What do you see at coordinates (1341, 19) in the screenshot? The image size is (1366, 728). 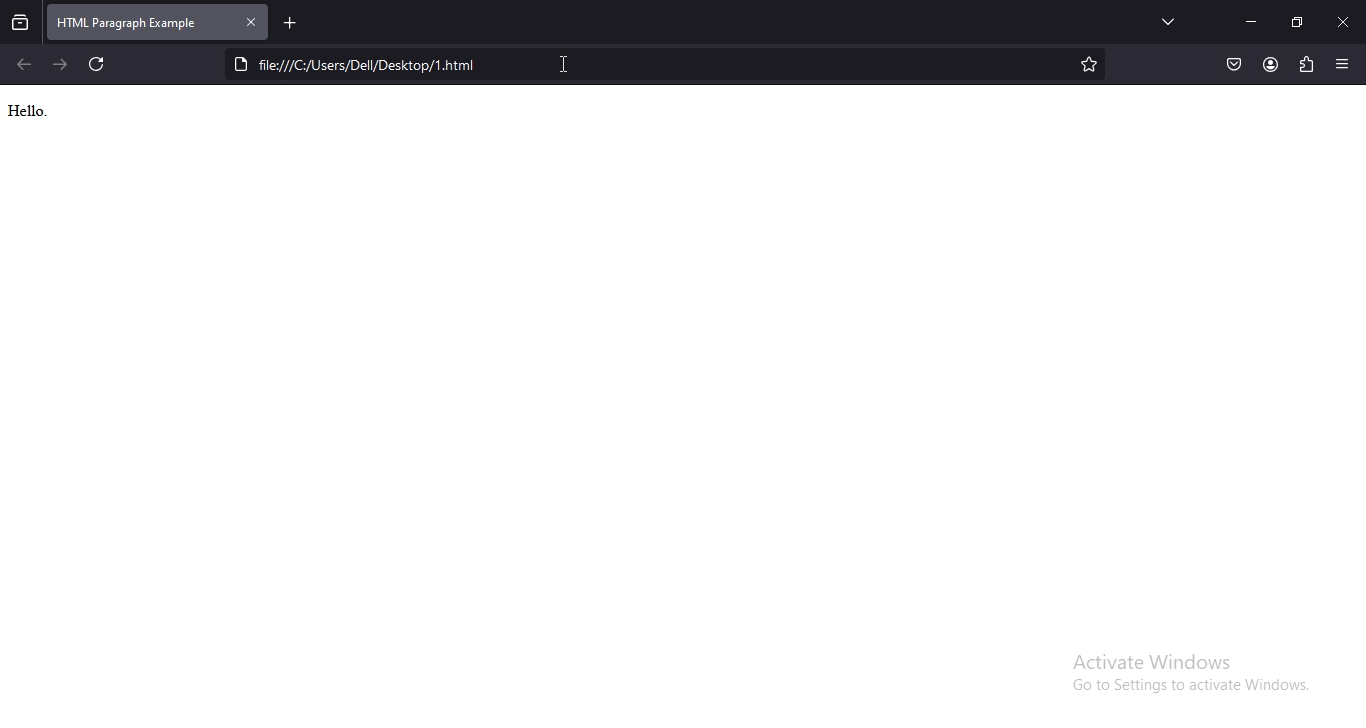 I see `close` at bounding box center [1341, 19].